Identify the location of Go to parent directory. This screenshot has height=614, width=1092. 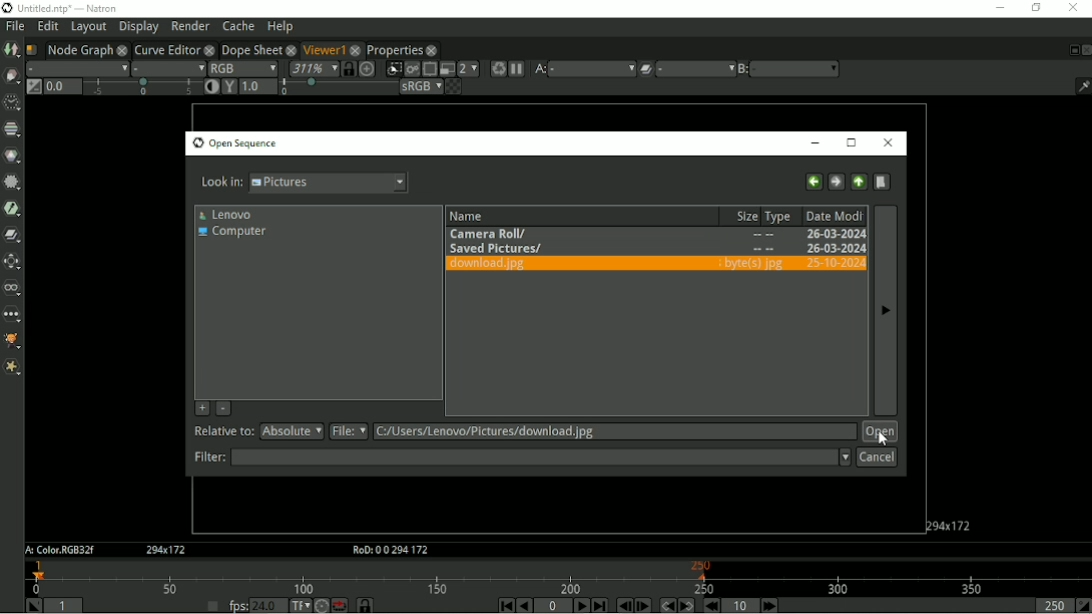
(859, 182).